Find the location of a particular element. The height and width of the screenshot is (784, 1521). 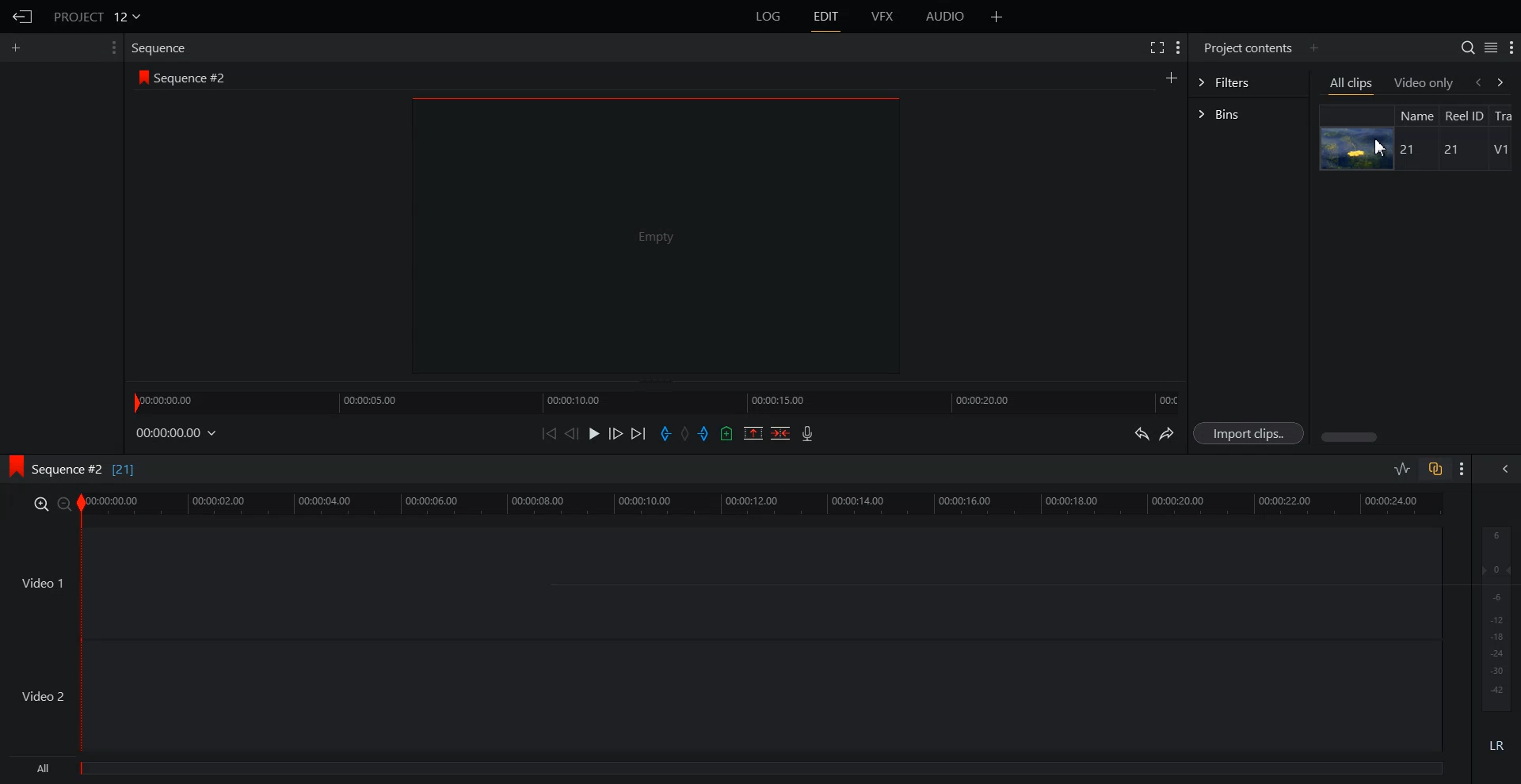

Image is located at coordinates (1358, 148).